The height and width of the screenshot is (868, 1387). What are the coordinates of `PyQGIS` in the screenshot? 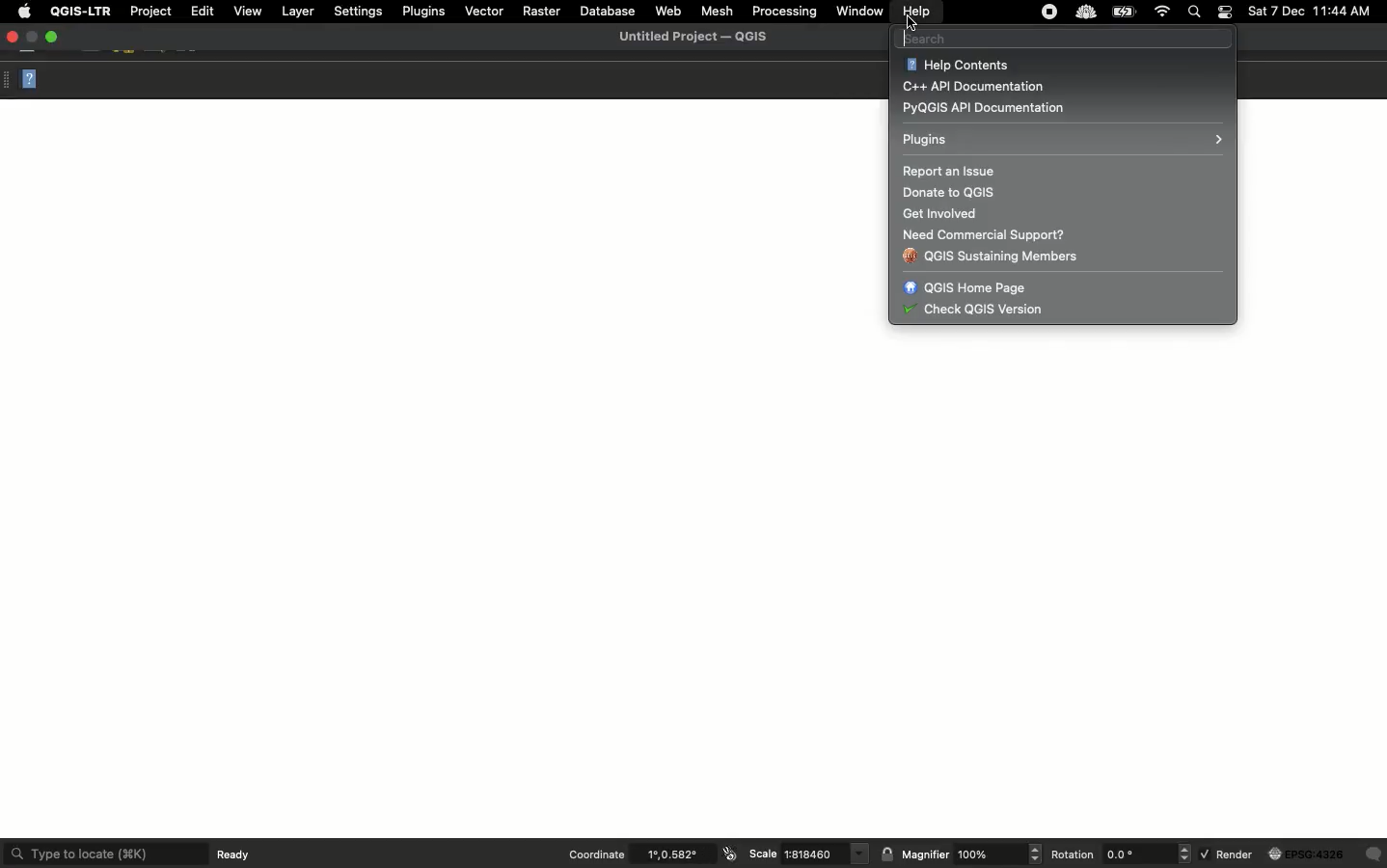 It's located at (986, 108).